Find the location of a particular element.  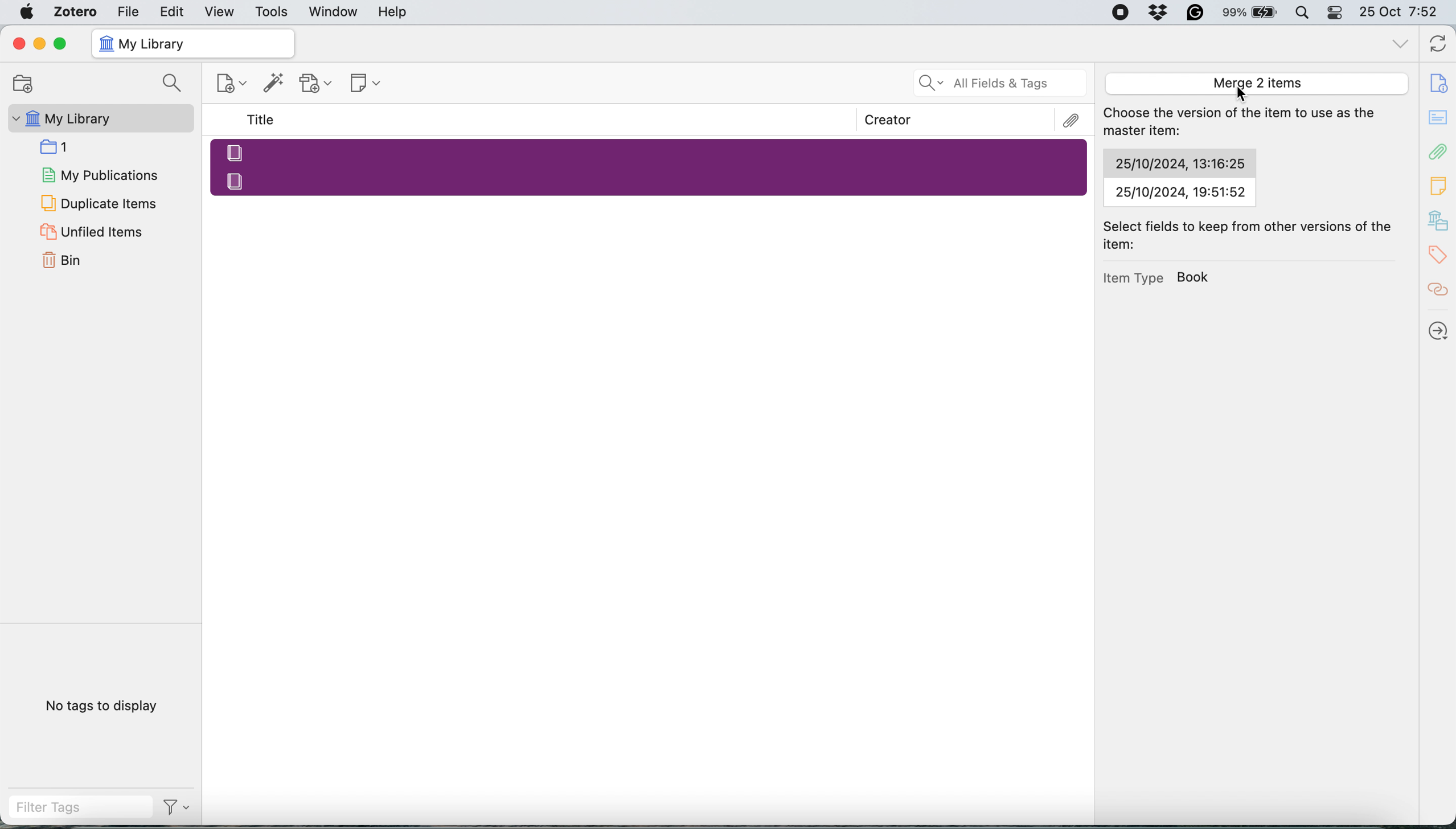

Control Centre is located at coordinates (1336, 12).